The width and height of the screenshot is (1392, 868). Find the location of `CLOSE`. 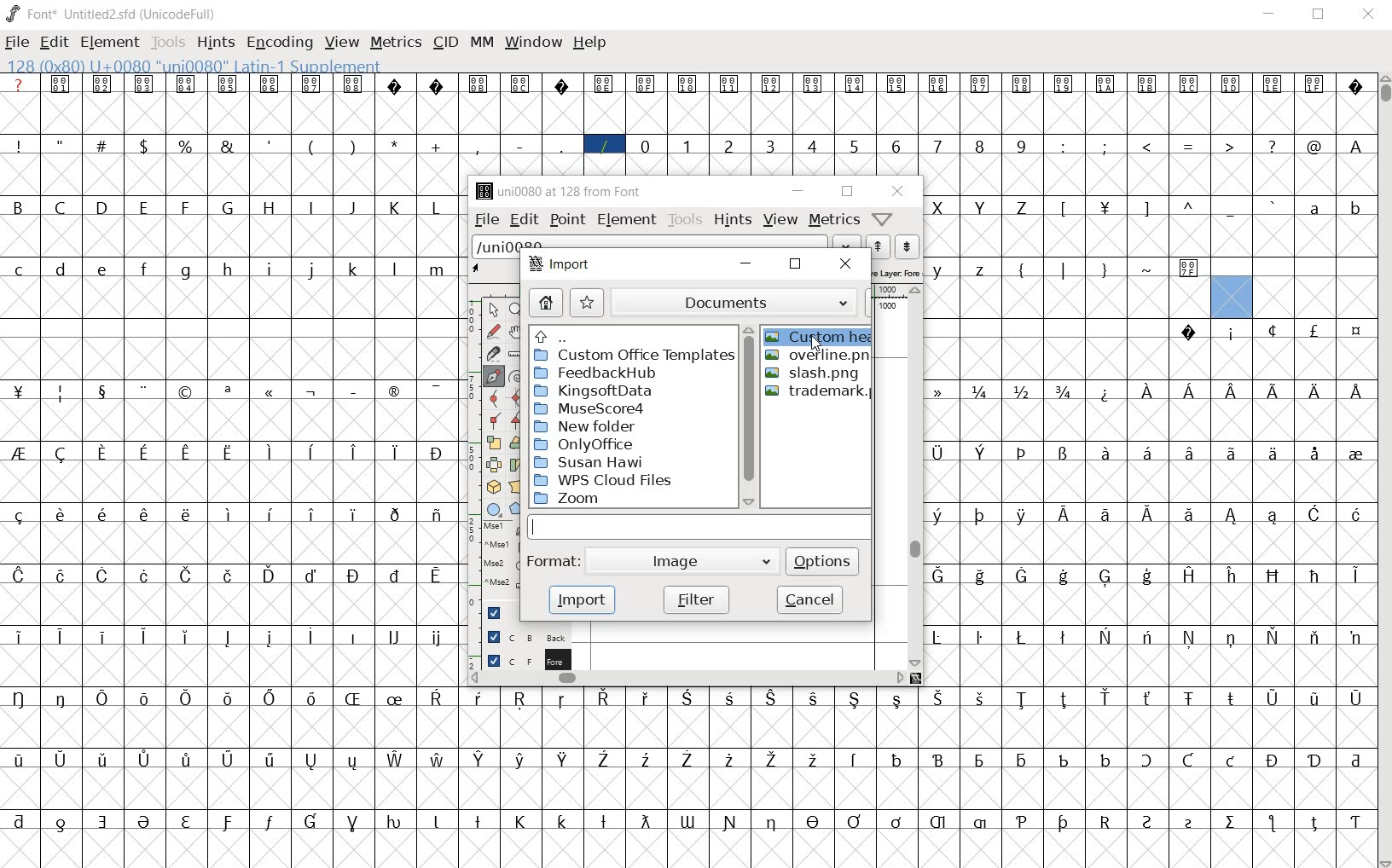

CLOSE is located at coordinates (1368, 15).